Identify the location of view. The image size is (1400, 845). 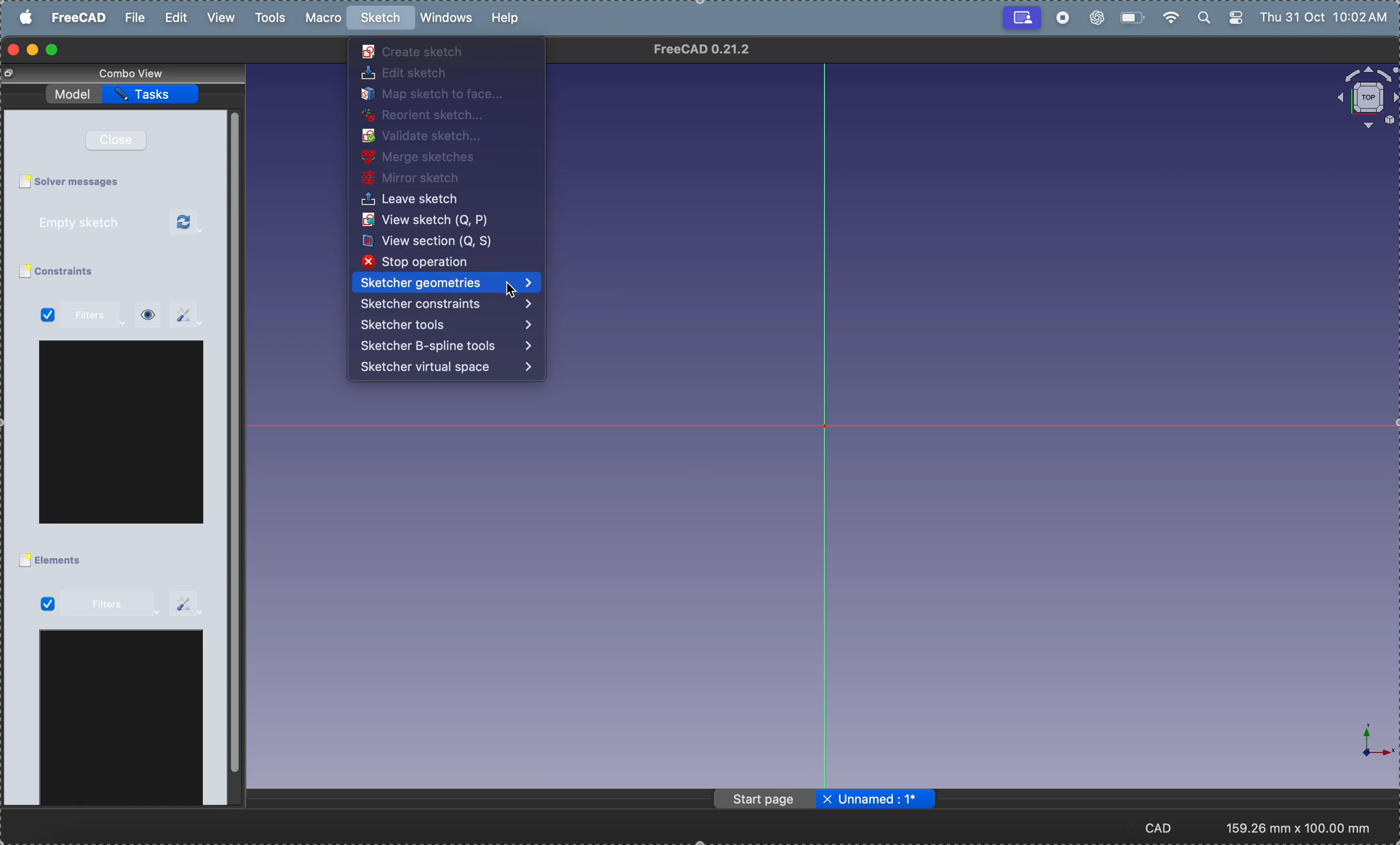
(148, 315).